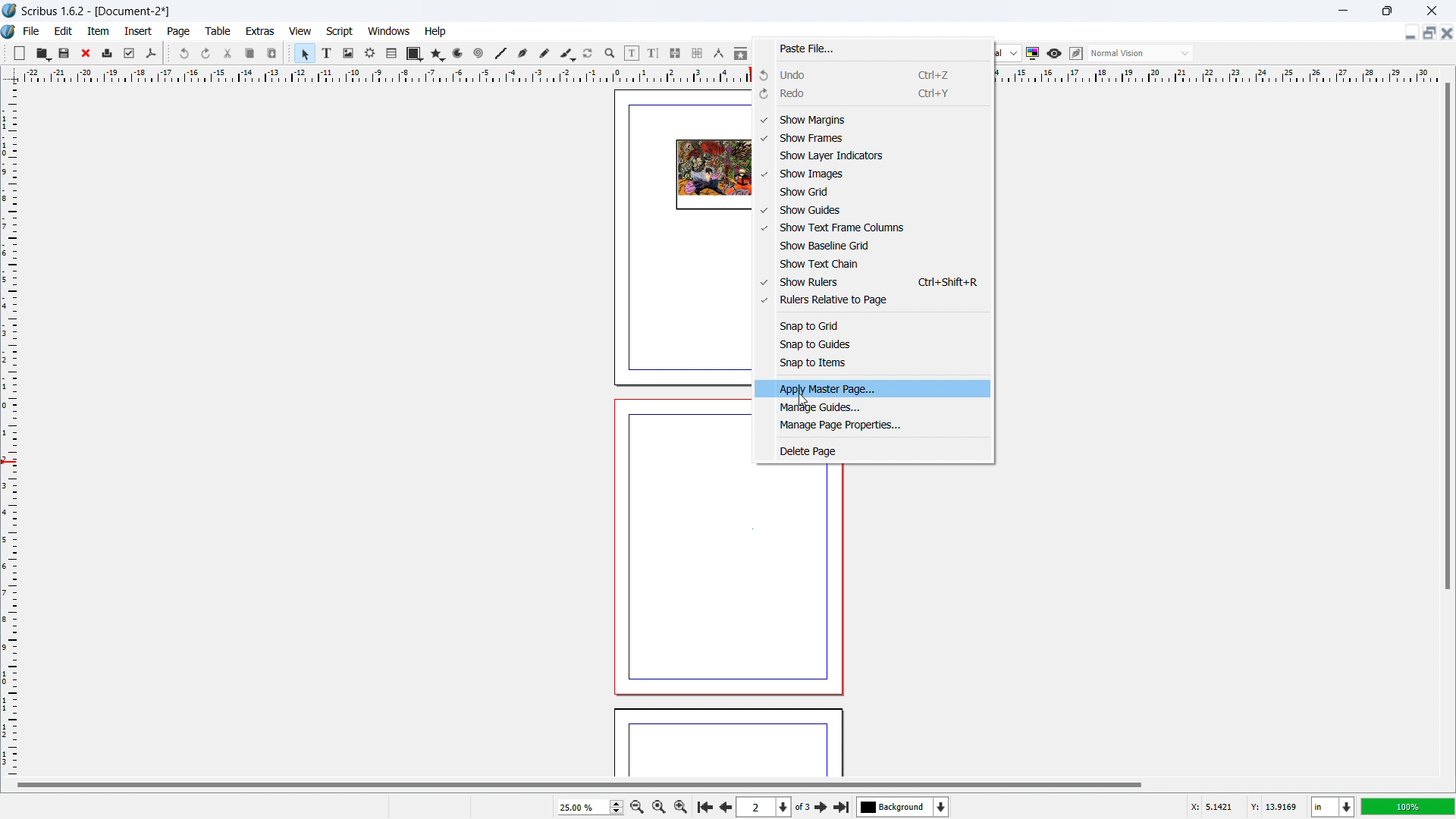 This screenshot has height=819, width=1456. Describe the element at coordinates (874, 156) in the screenshot. I see `show layer indicators toggle` at that location.